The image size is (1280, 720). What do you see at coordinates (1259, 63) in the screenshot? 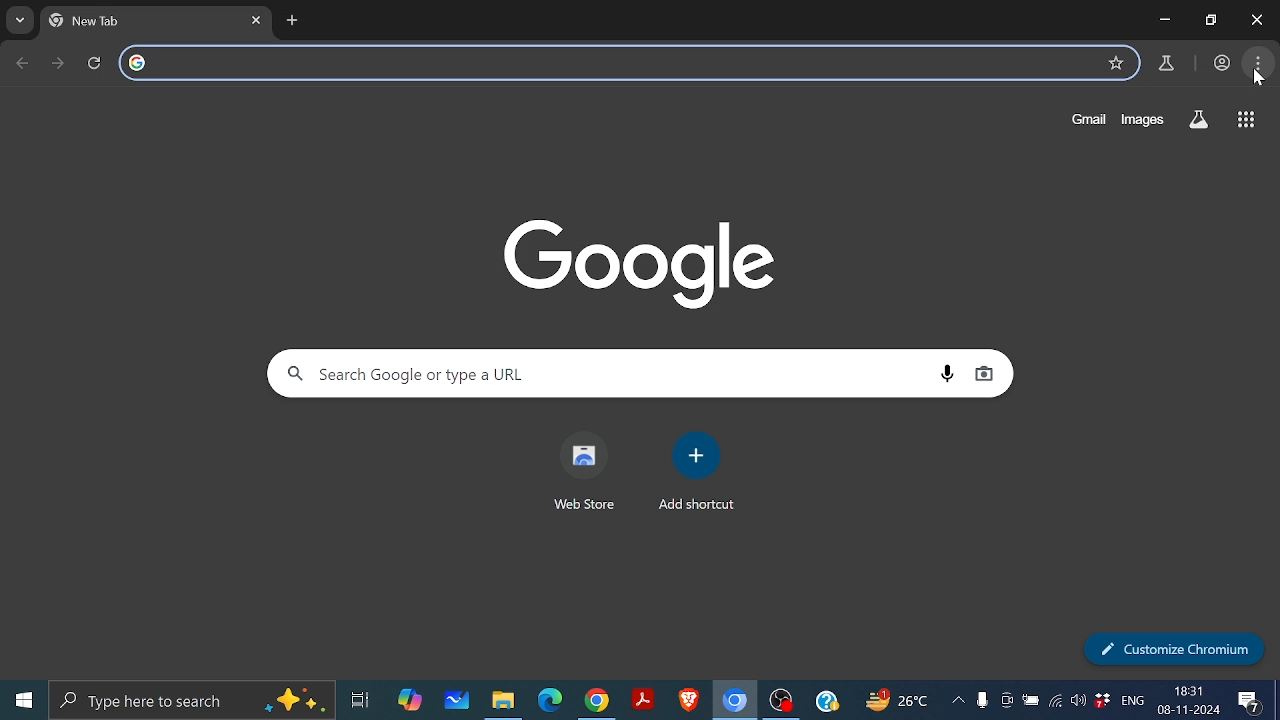
I see `Control and customize chromium` at bounding box center [1259, 63].